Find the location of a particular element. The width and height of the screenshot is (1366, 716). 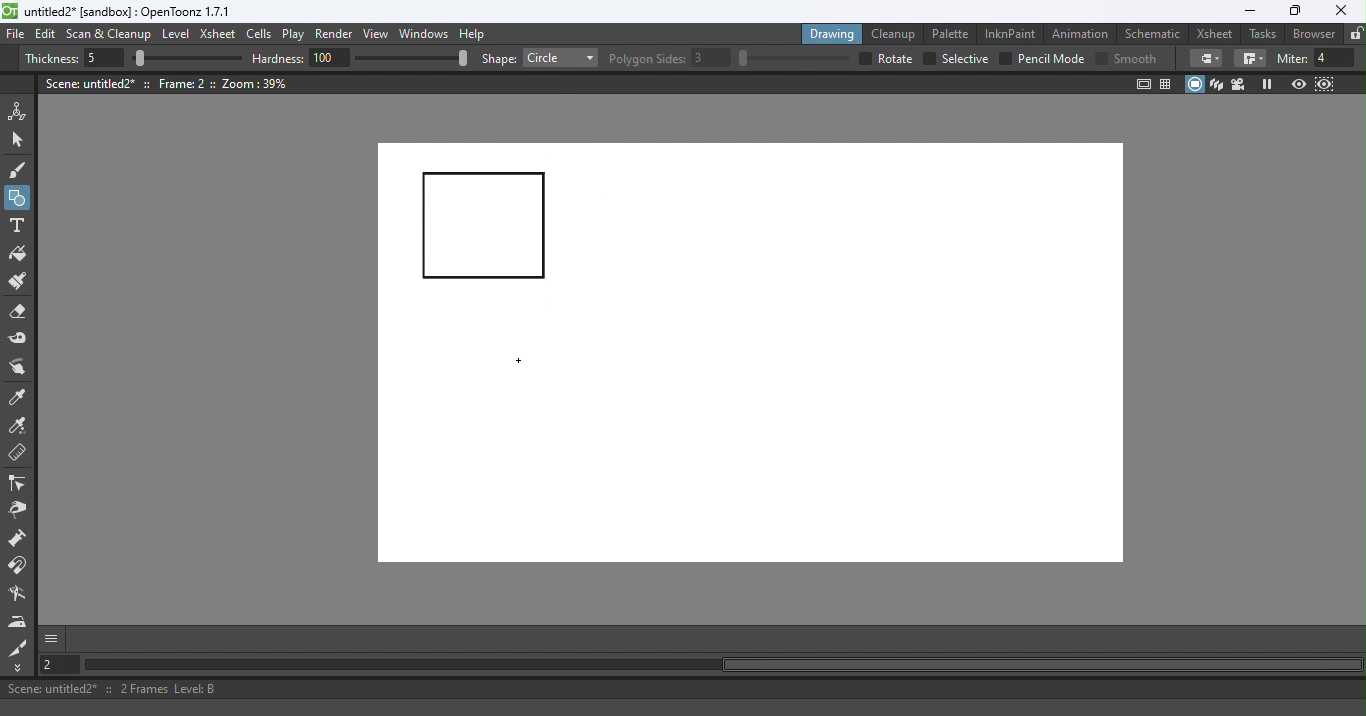

Lock rooms tab is located at coordinates (1356, 35).